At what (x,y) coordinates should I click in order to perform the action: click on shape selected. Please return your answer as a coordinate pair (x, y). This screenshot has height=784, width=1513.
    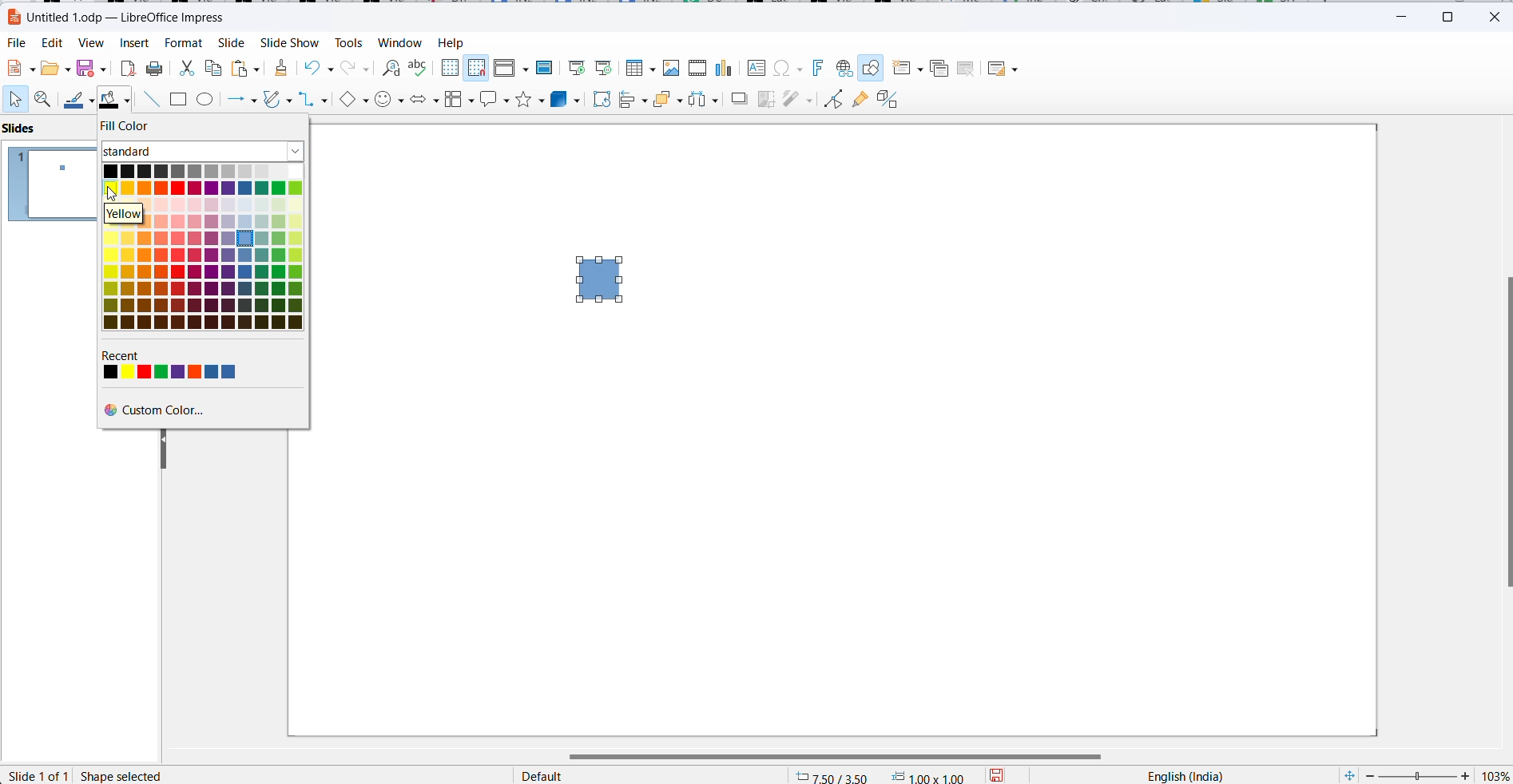
    Looking at the image, I should click on (121, 775).